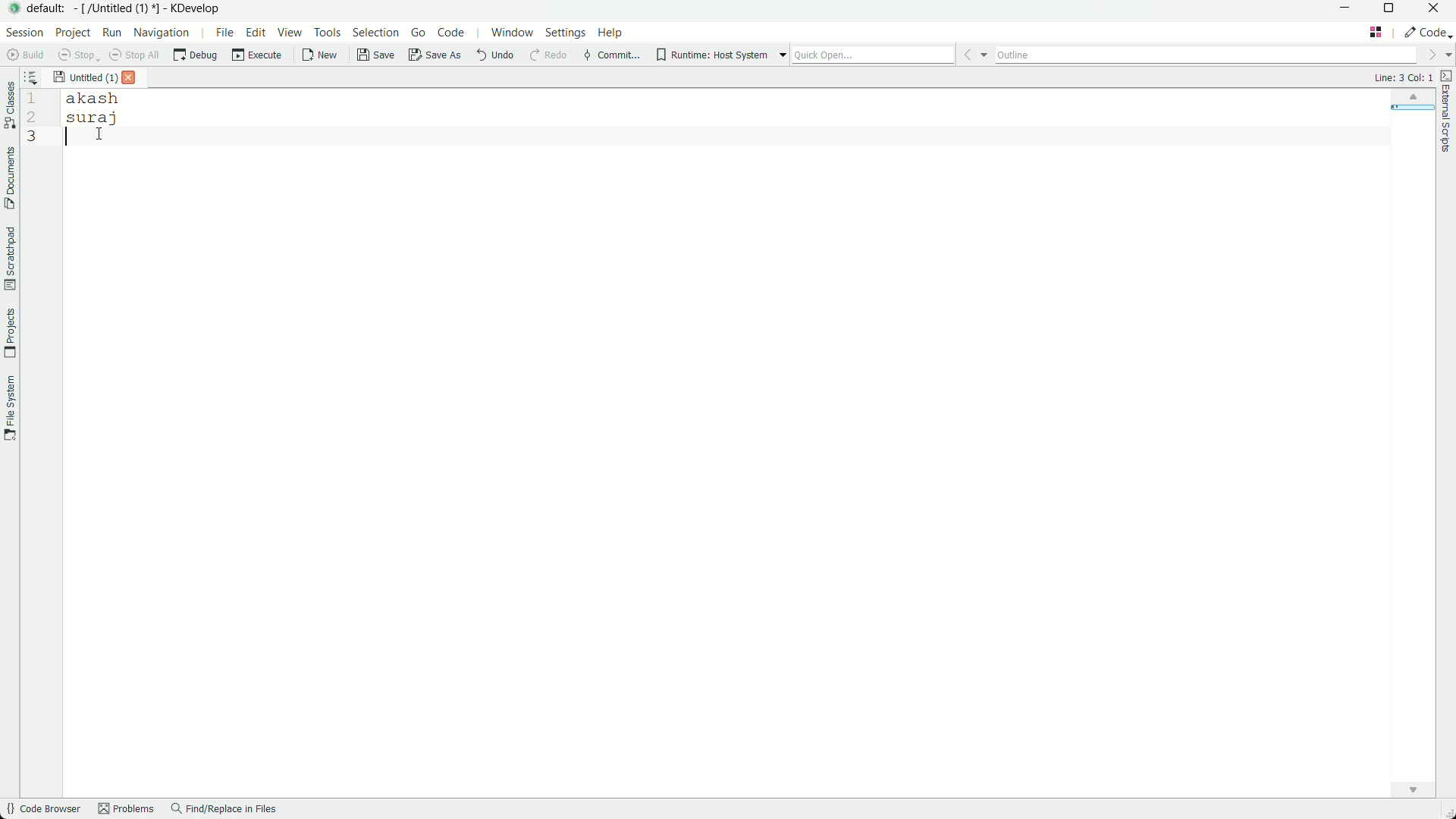 The height and width of the screenshot is (819, 1456). I want to click on find/replace in files, so click(225, 810).